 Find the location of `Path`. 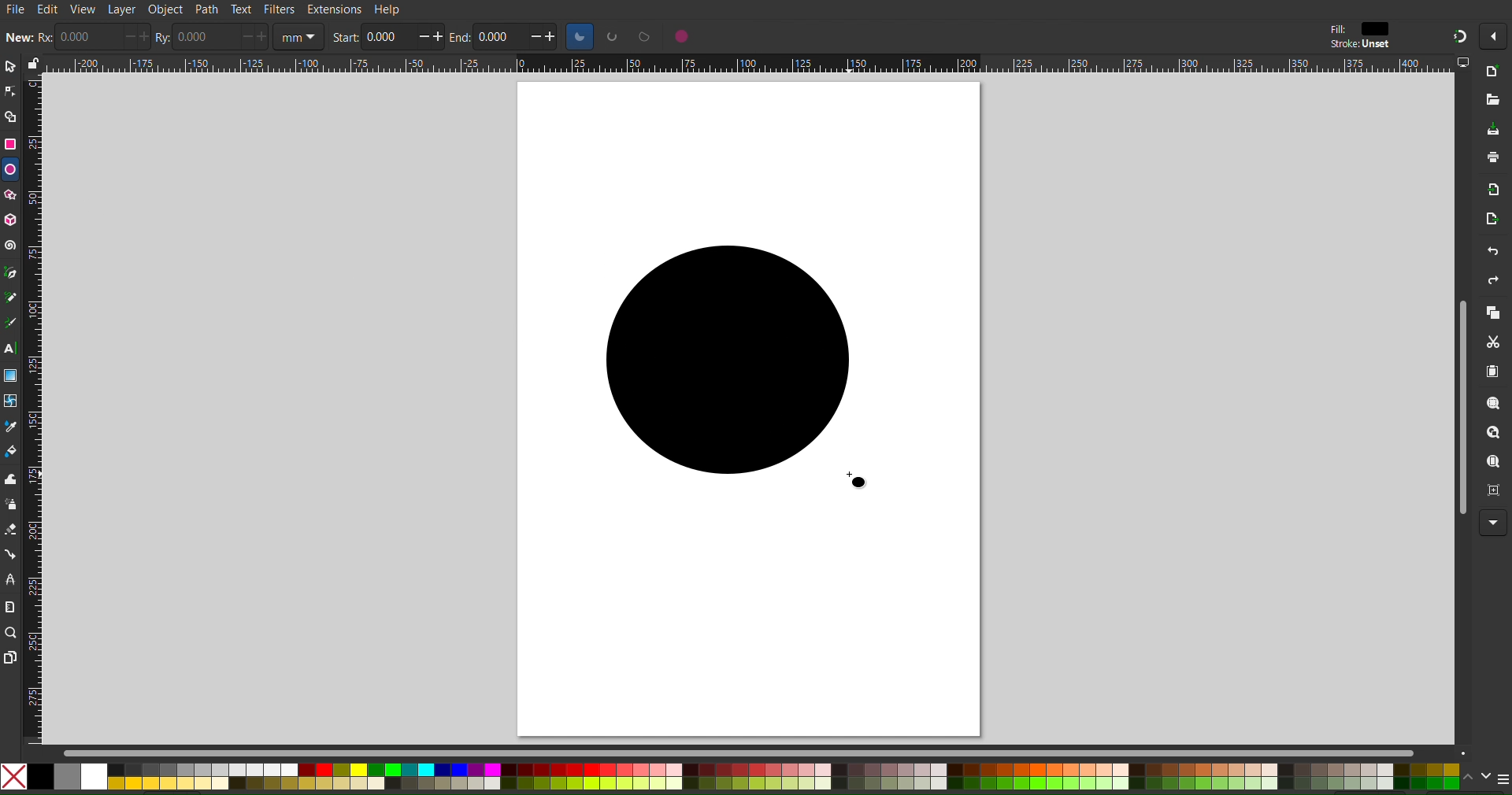

Path is located at coordinates (206, 9).